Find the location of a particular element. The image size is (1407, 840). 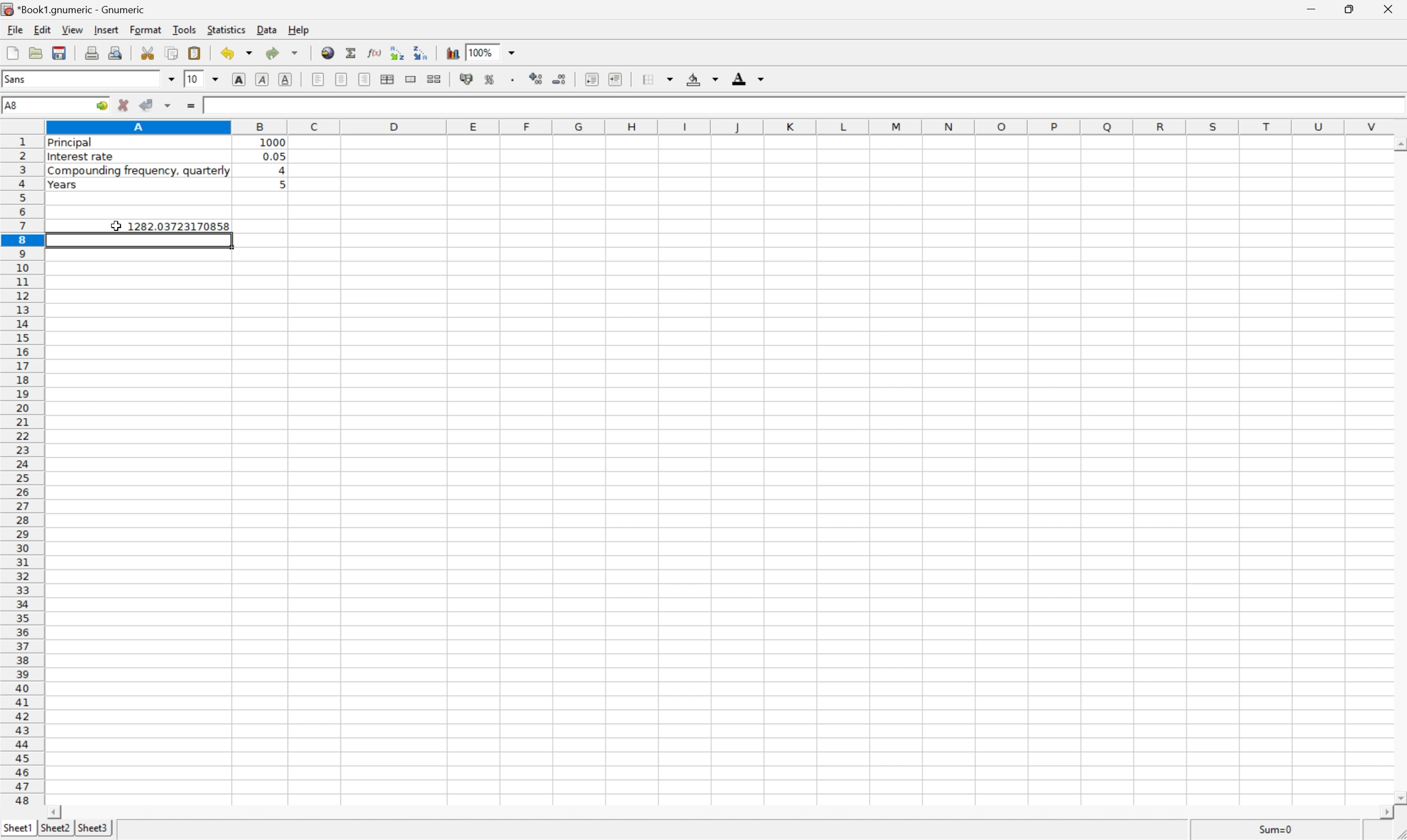

Align right is located at coordinates (364, 79).